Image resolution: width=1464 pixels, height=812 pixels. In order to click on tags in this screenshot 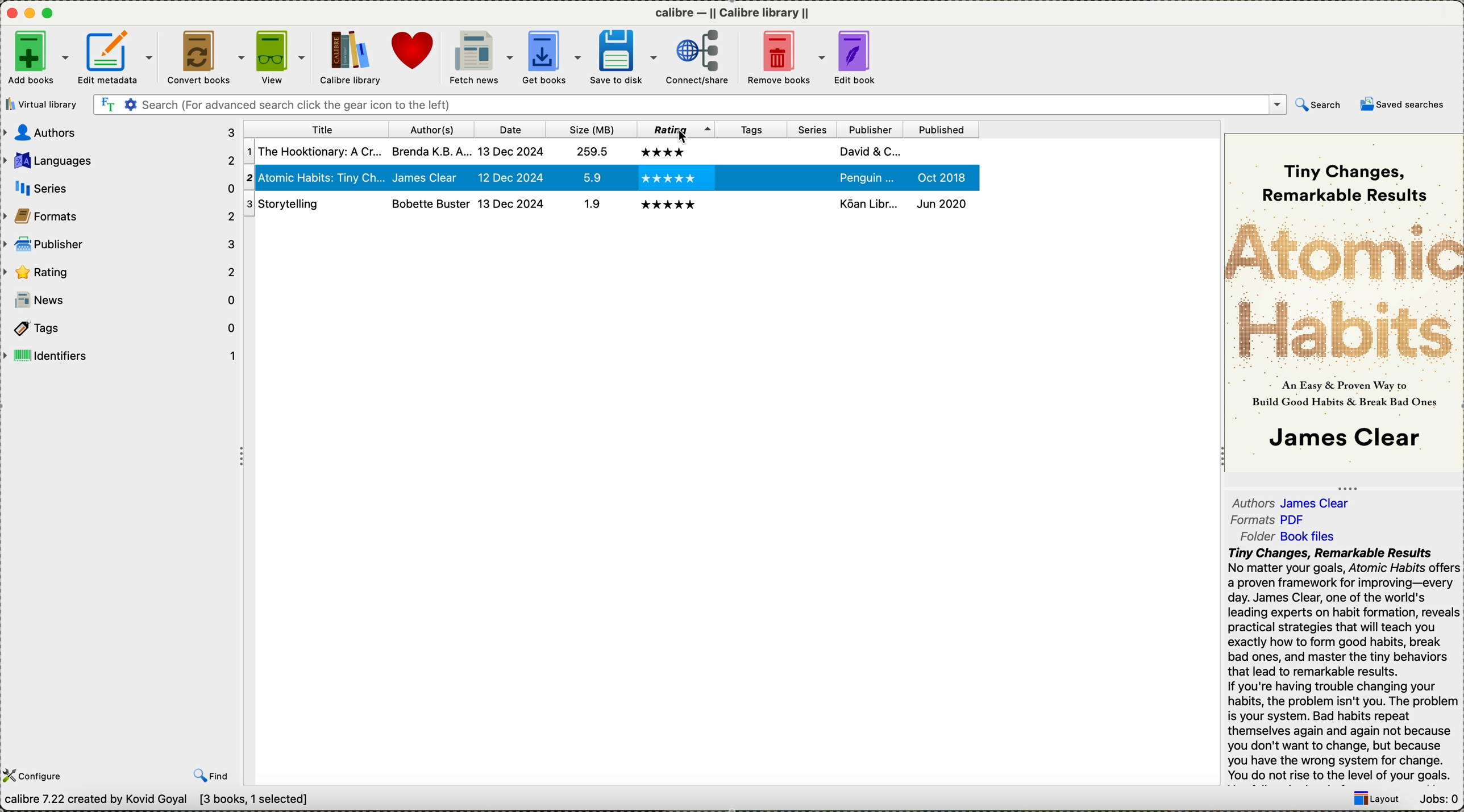, I will do `click(754, 150)`.